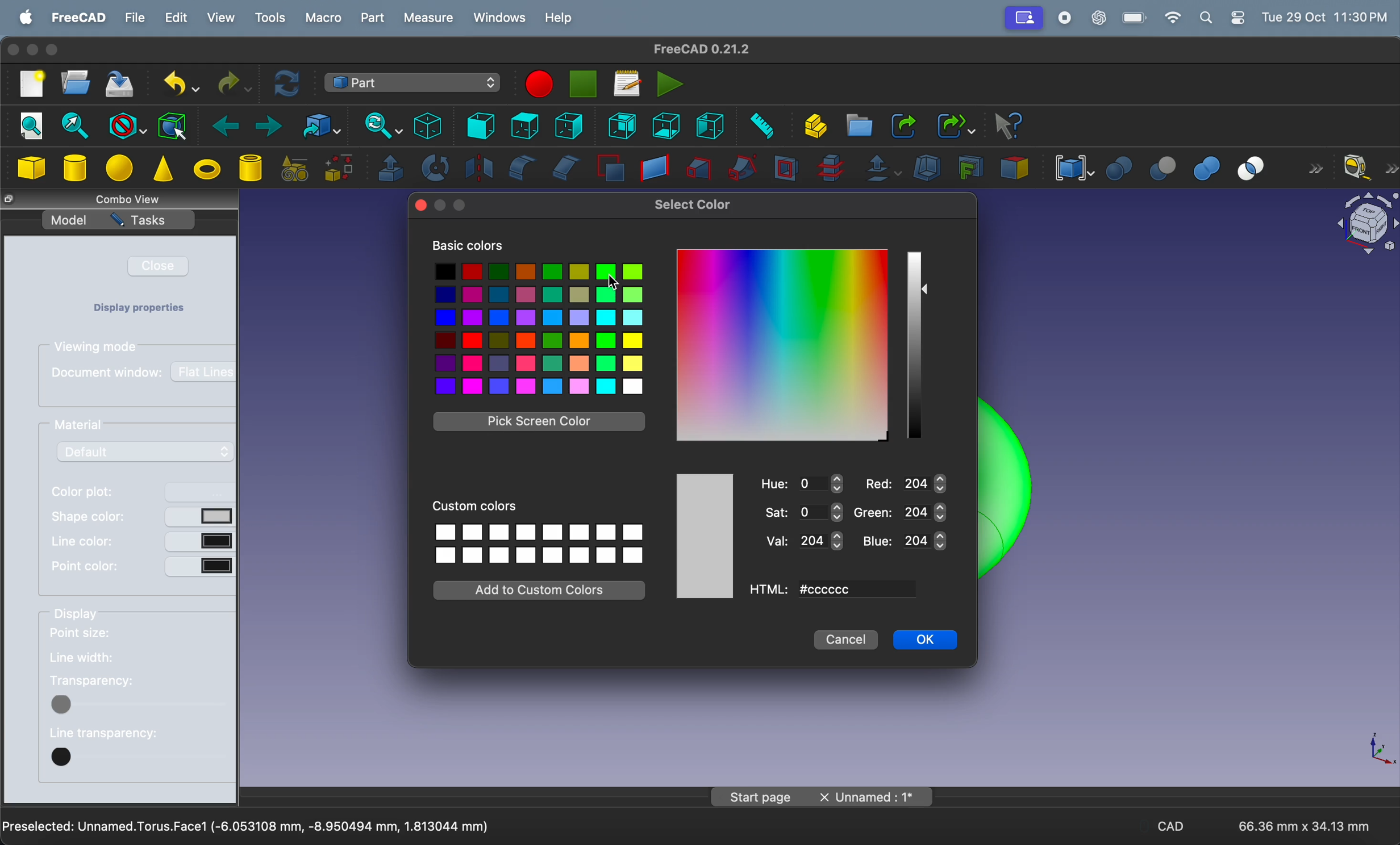  Describe the element at coordinates (14, 49) in the screenshot. I see `closing window` at that location.